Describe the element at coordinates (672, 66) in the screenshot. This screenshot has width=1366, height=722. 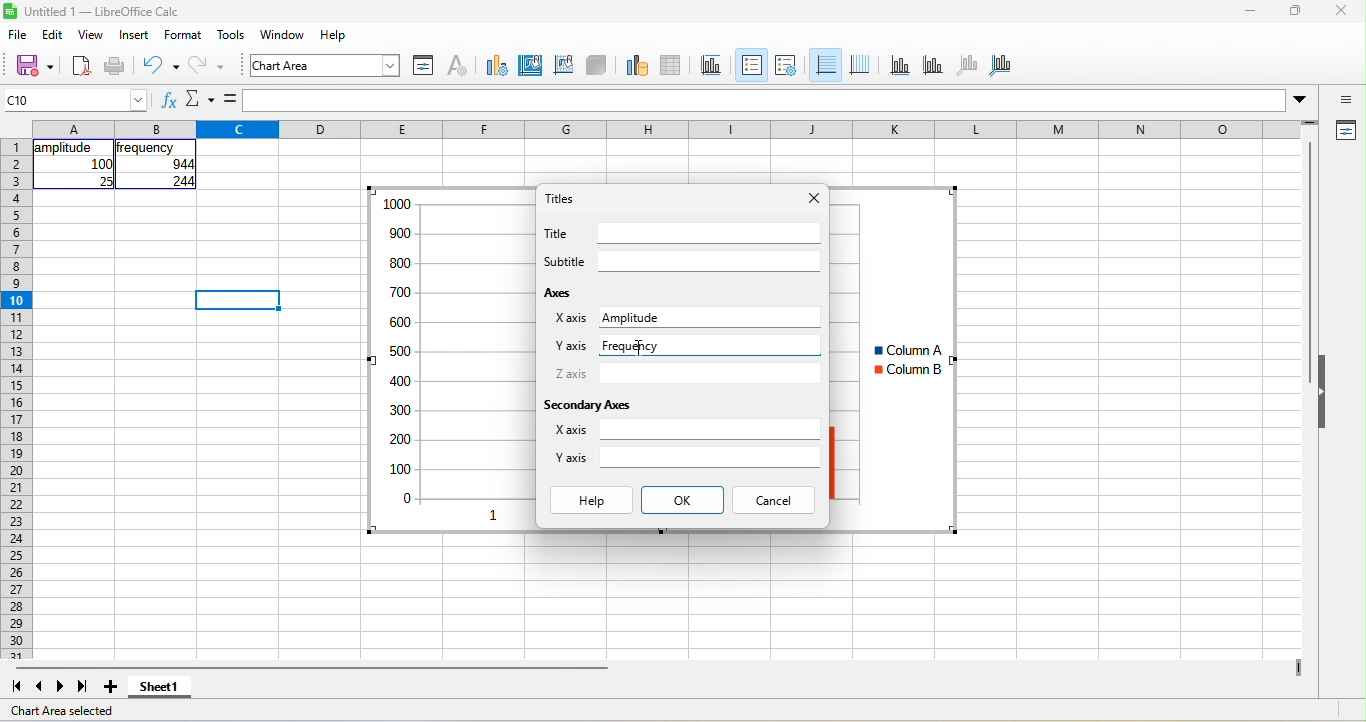
I see `data table` at that location.